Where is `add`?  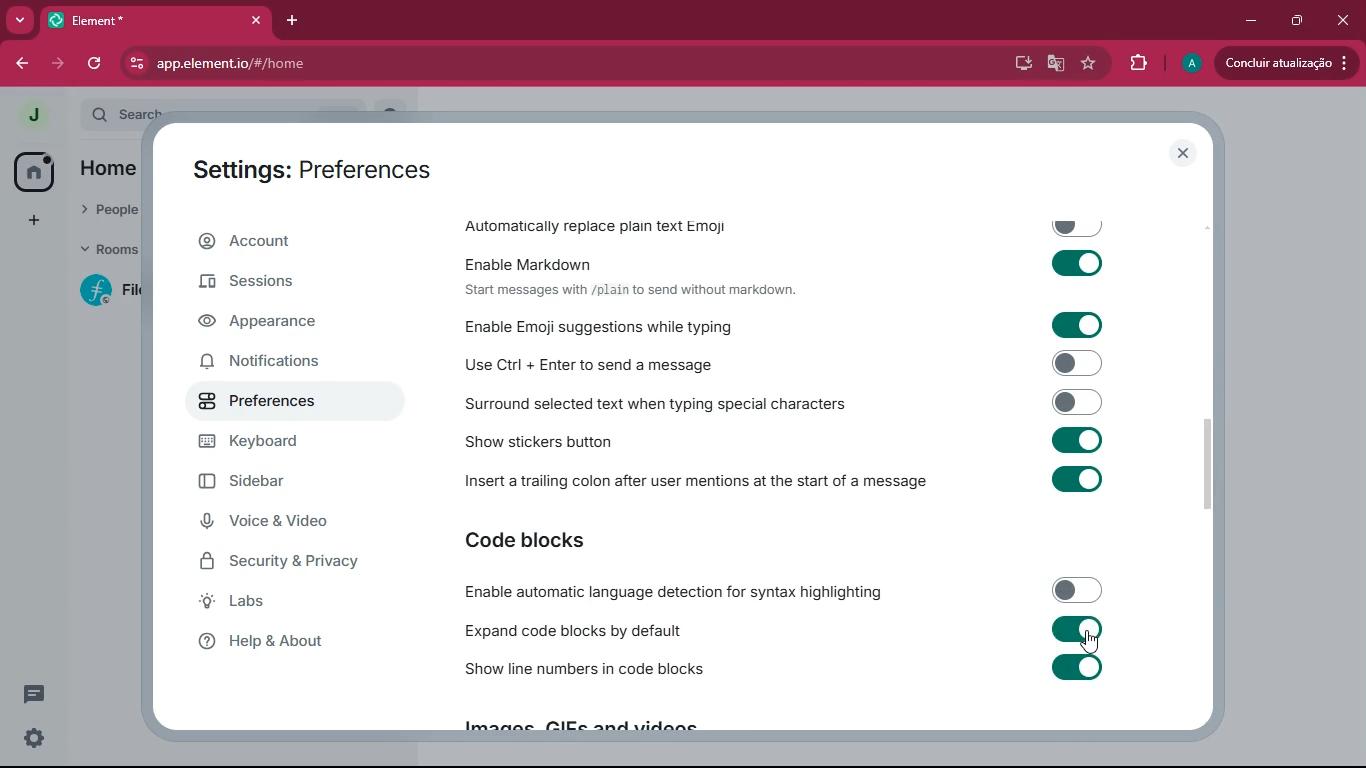 add is located at coordinates (33, 220).